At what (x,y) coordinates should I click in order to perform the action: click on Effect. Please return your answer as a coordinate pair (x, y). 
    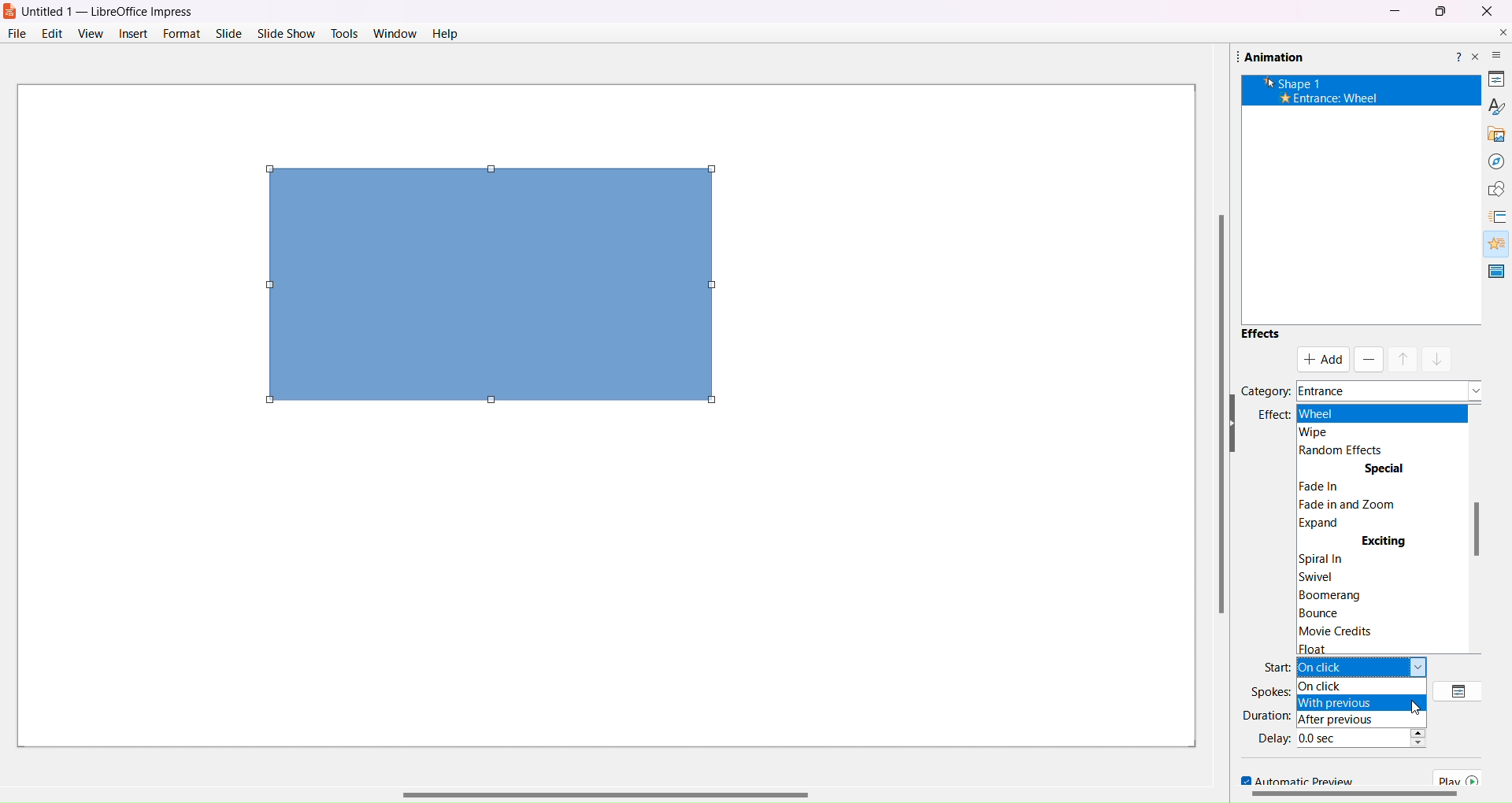
    Looking at the image, I should click on (1268, 422).